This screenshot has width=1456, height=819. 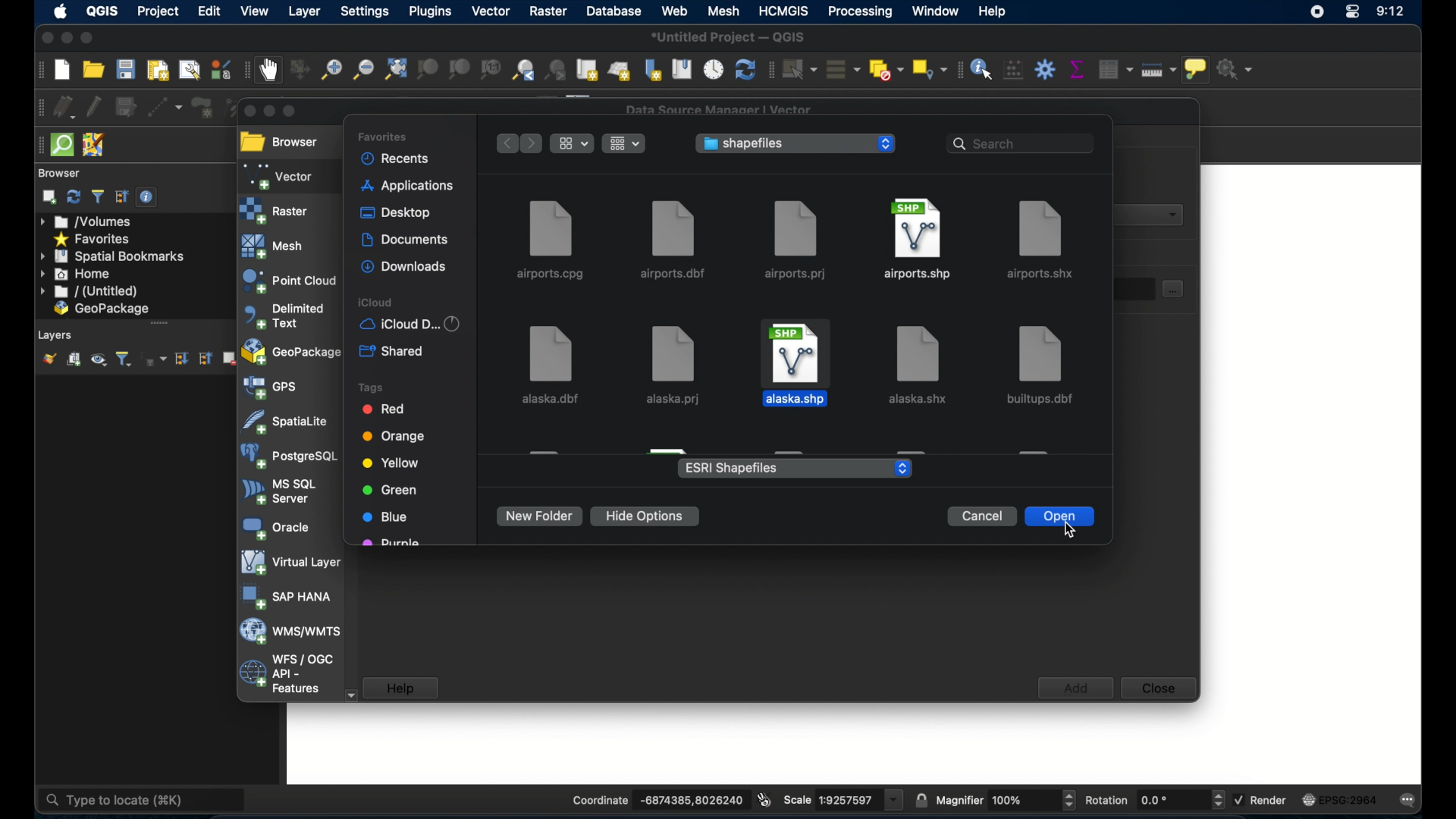 What do you see at coordinates (1075, 688) in the screenshot?
I see `add` at bounding box center [1075, 688].